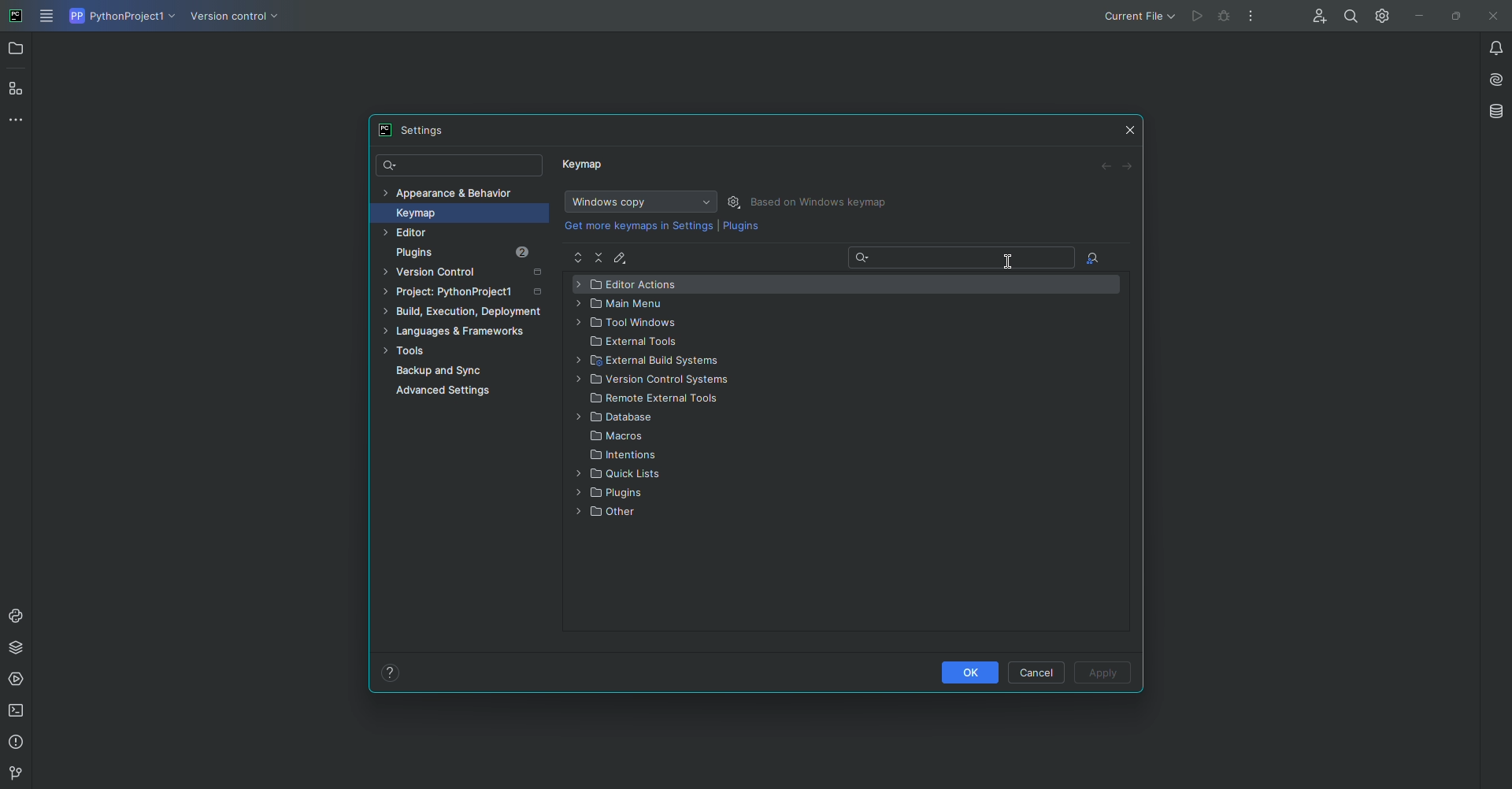 Image resolution: width=1512 pixels, height=789 pixels. I want to click on More Tools, so click(20, 119).